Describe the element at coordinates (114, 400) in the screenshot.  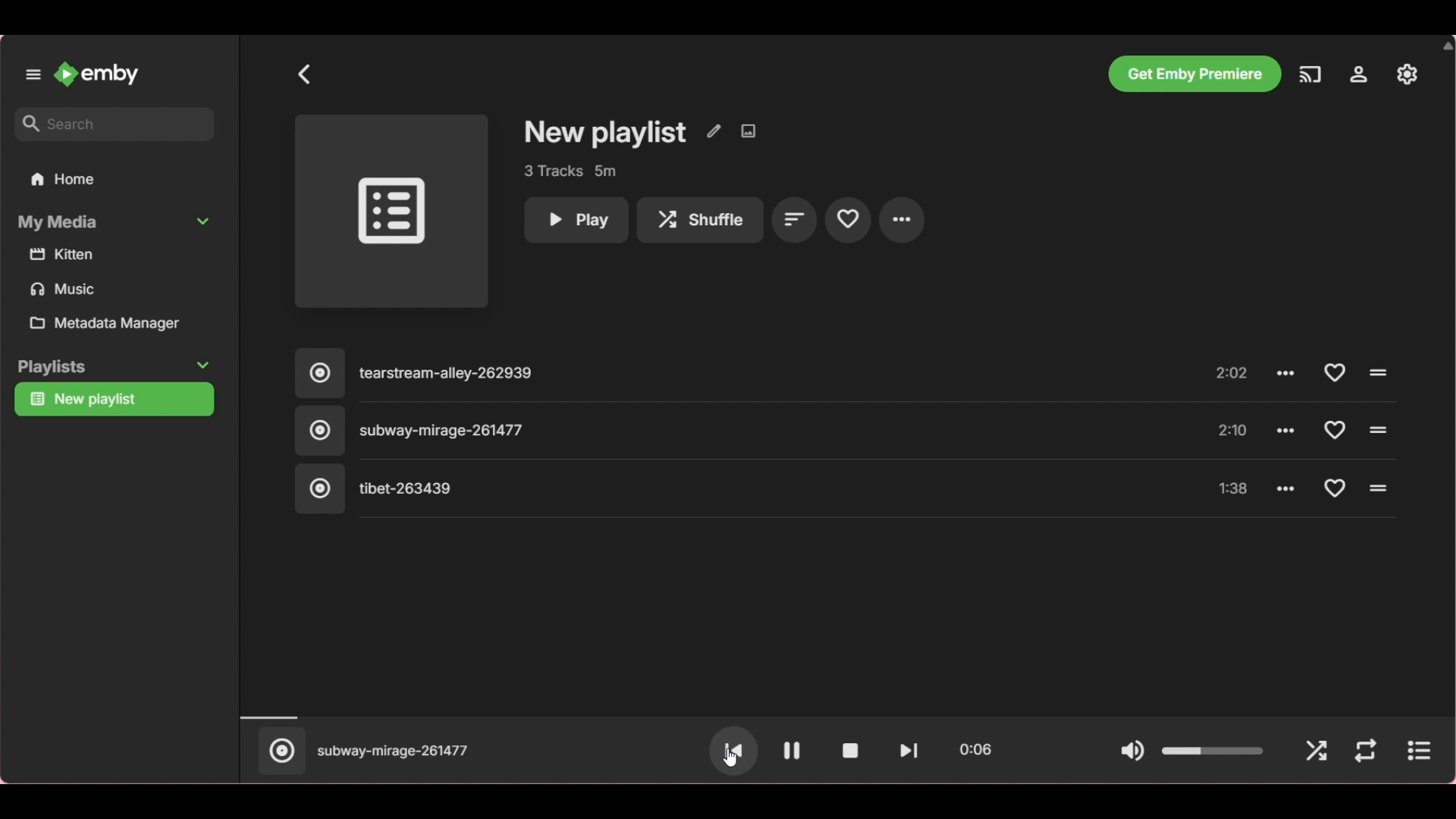
I see `Current playlist highlighted` at that location.